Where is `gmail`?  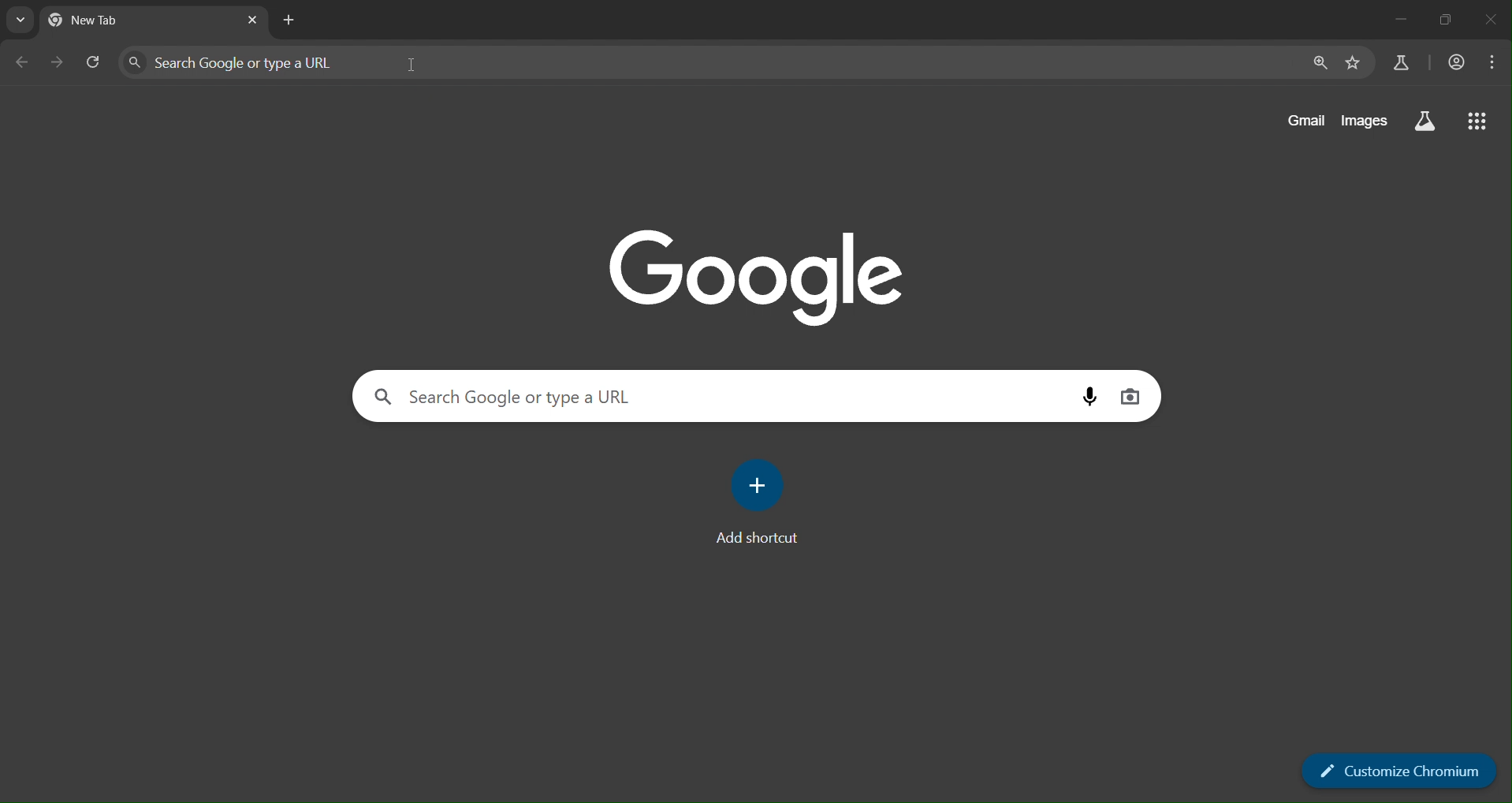 gmail is located at coordinates (1306, 123).